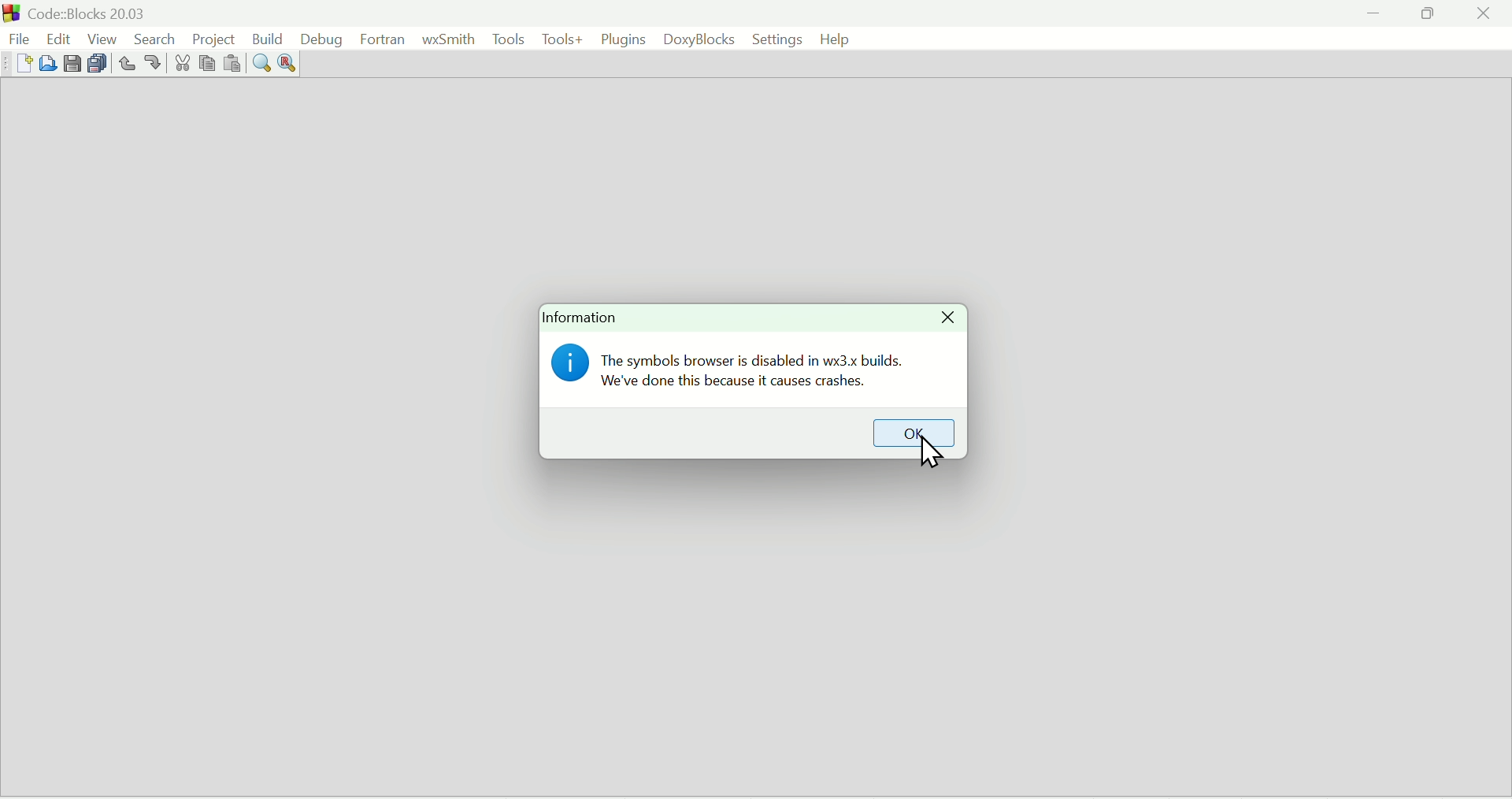 The height and width of the screenshot is (799, 1512). I want to click on Open file, so click(50, 63).